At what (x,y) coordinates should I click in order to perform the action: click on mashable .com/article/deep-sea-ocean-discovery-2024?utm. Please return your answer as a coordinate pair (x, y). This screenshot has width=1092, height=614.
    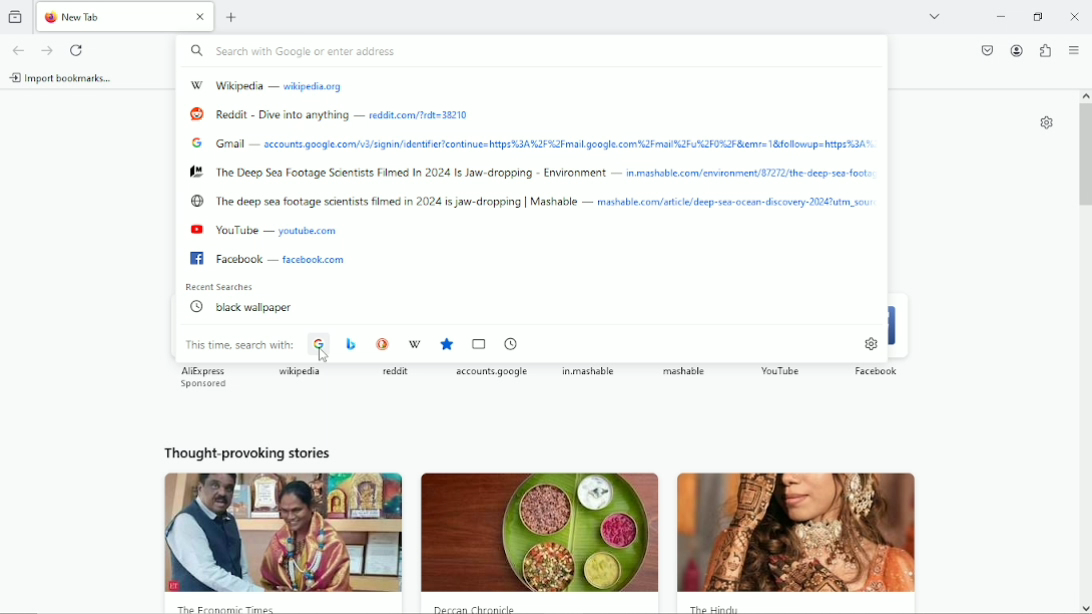
    Looking at the image, I should click on (736, 200).